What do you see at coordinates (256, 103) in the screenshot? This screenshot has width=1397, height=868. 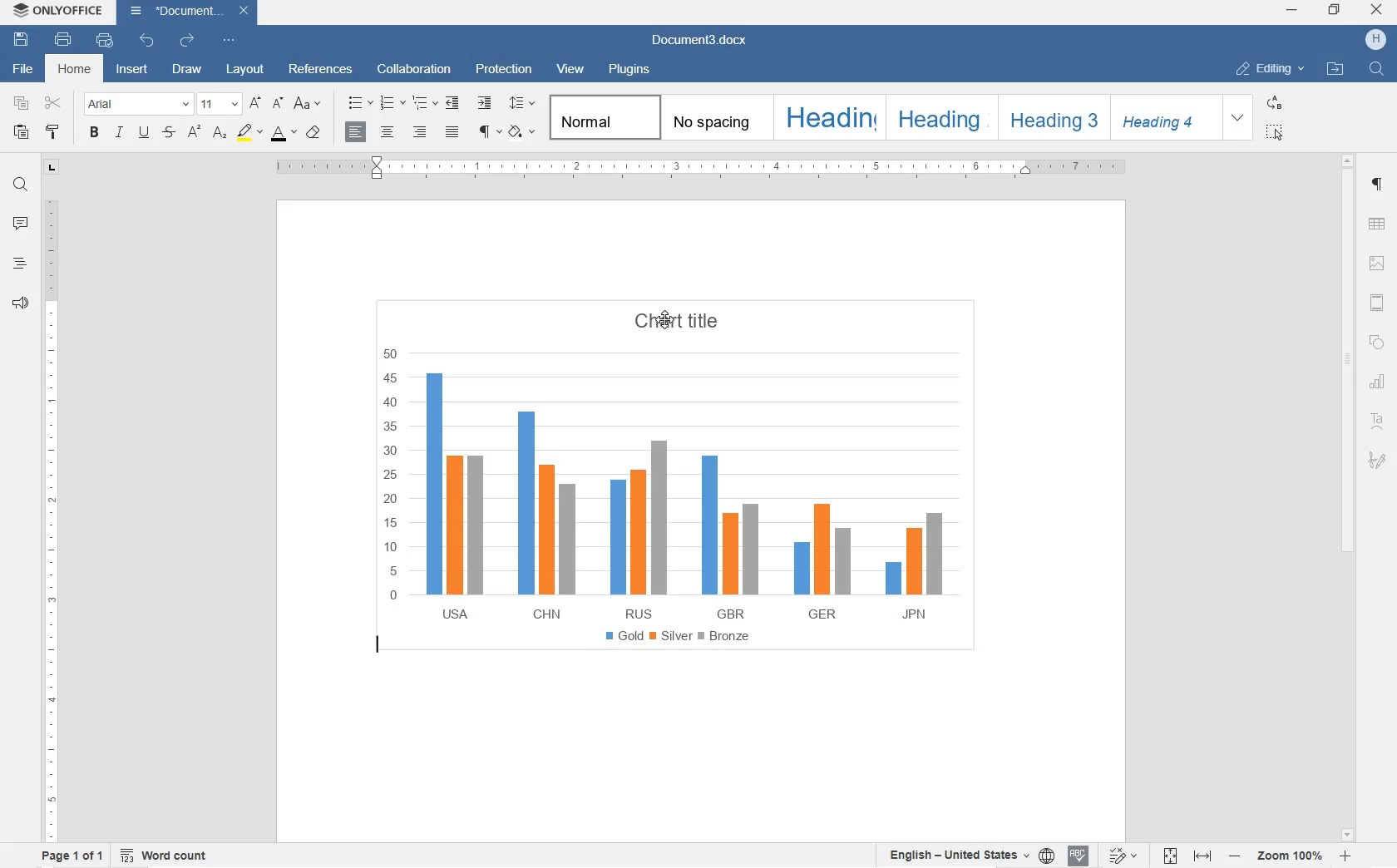 I see `INCREMENT FONT SIZE` at bounding box center [256, 103].